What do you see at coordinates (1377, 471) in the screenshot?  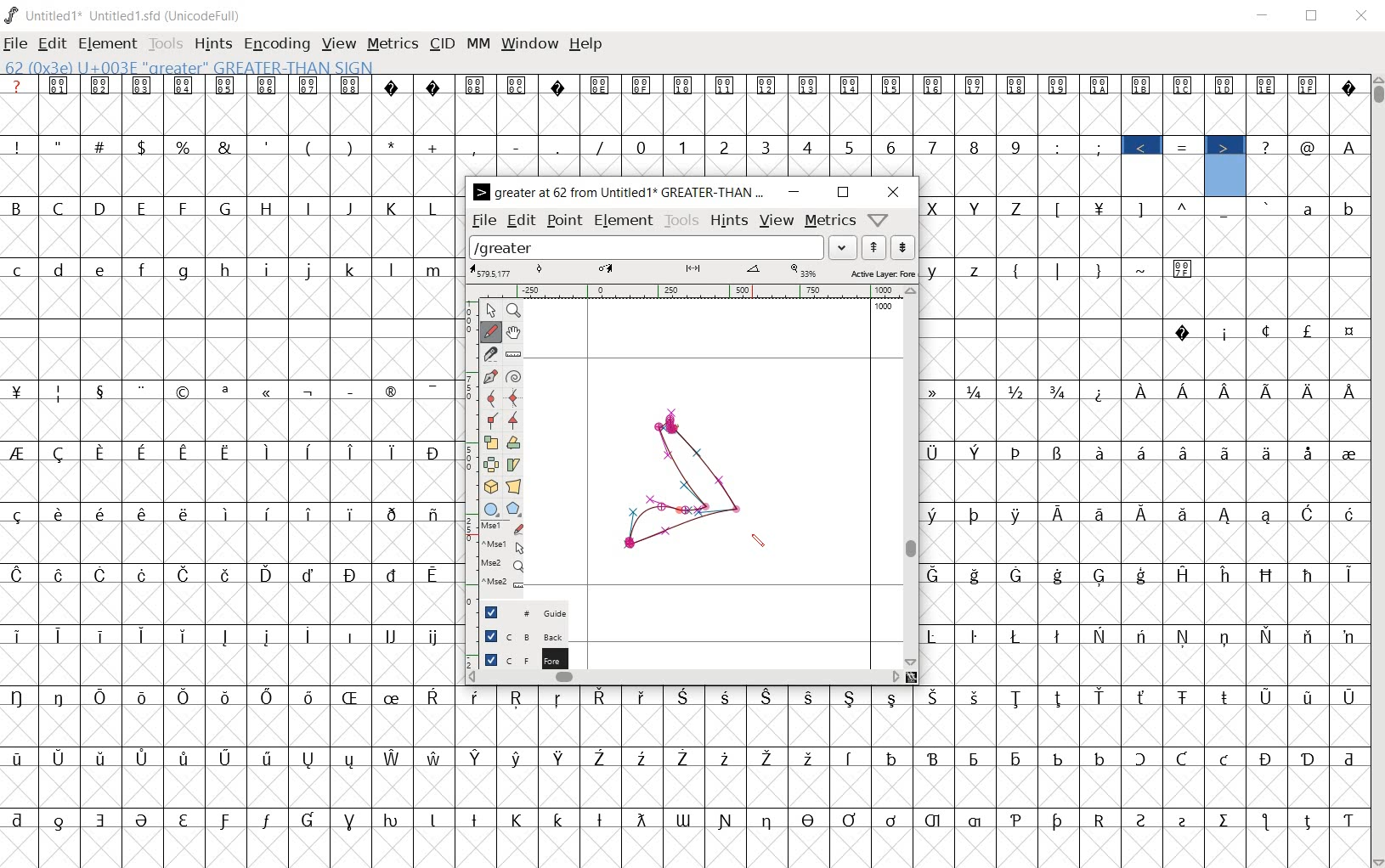 I see `scrollbar` at bounding box center [1377, 471].